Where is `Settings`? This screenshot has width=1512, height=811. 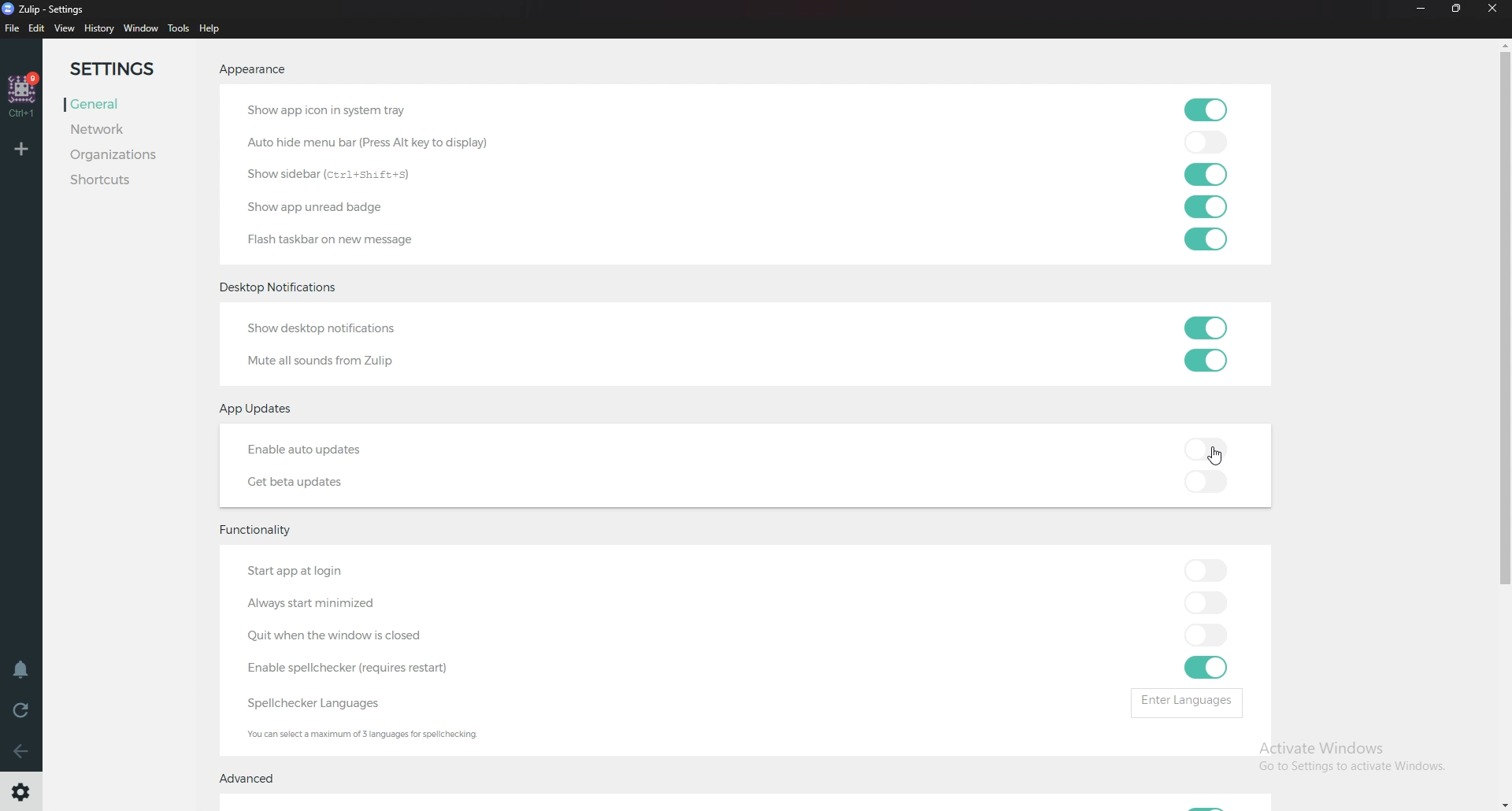
Settings is located at coordinates (124, 69).